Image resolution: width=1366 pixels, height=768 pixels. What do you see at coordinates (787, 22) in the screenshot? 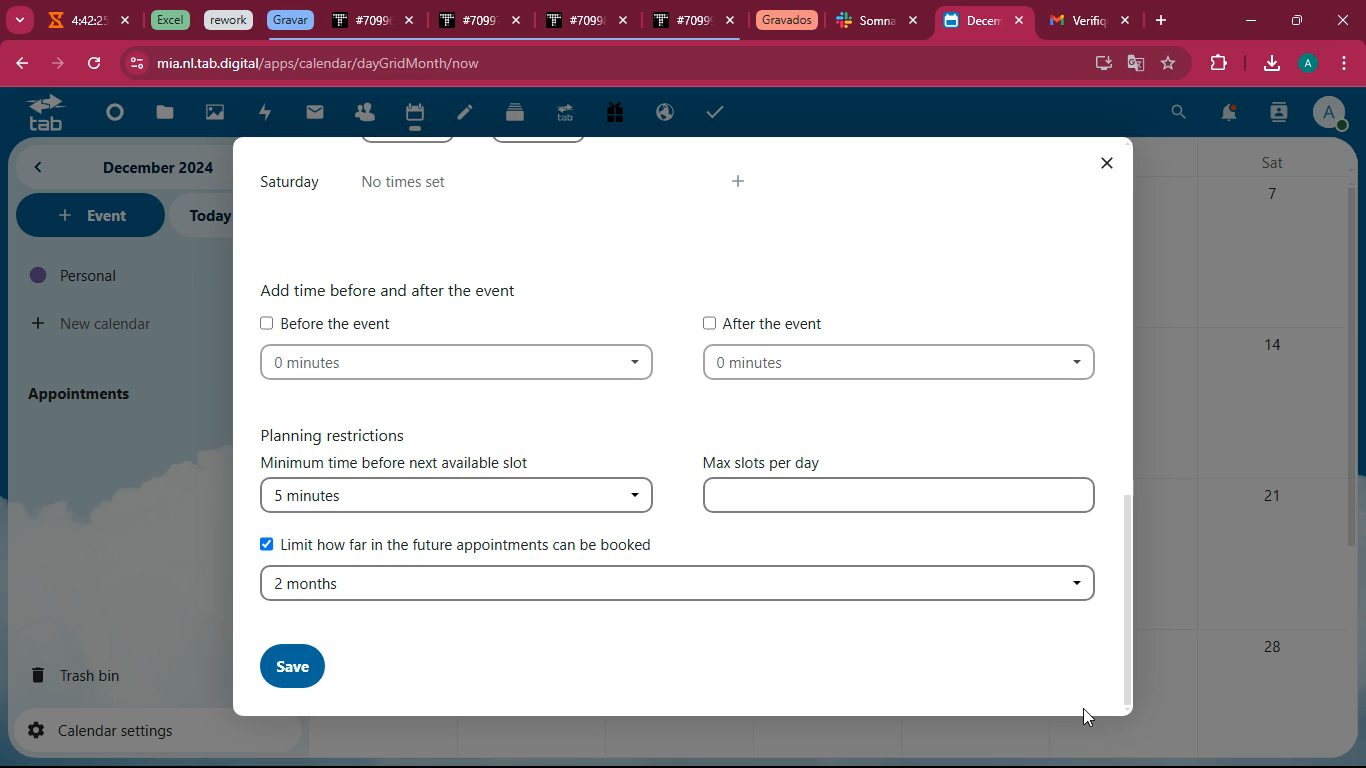
I see `tab` at bounding box center [787, 22].